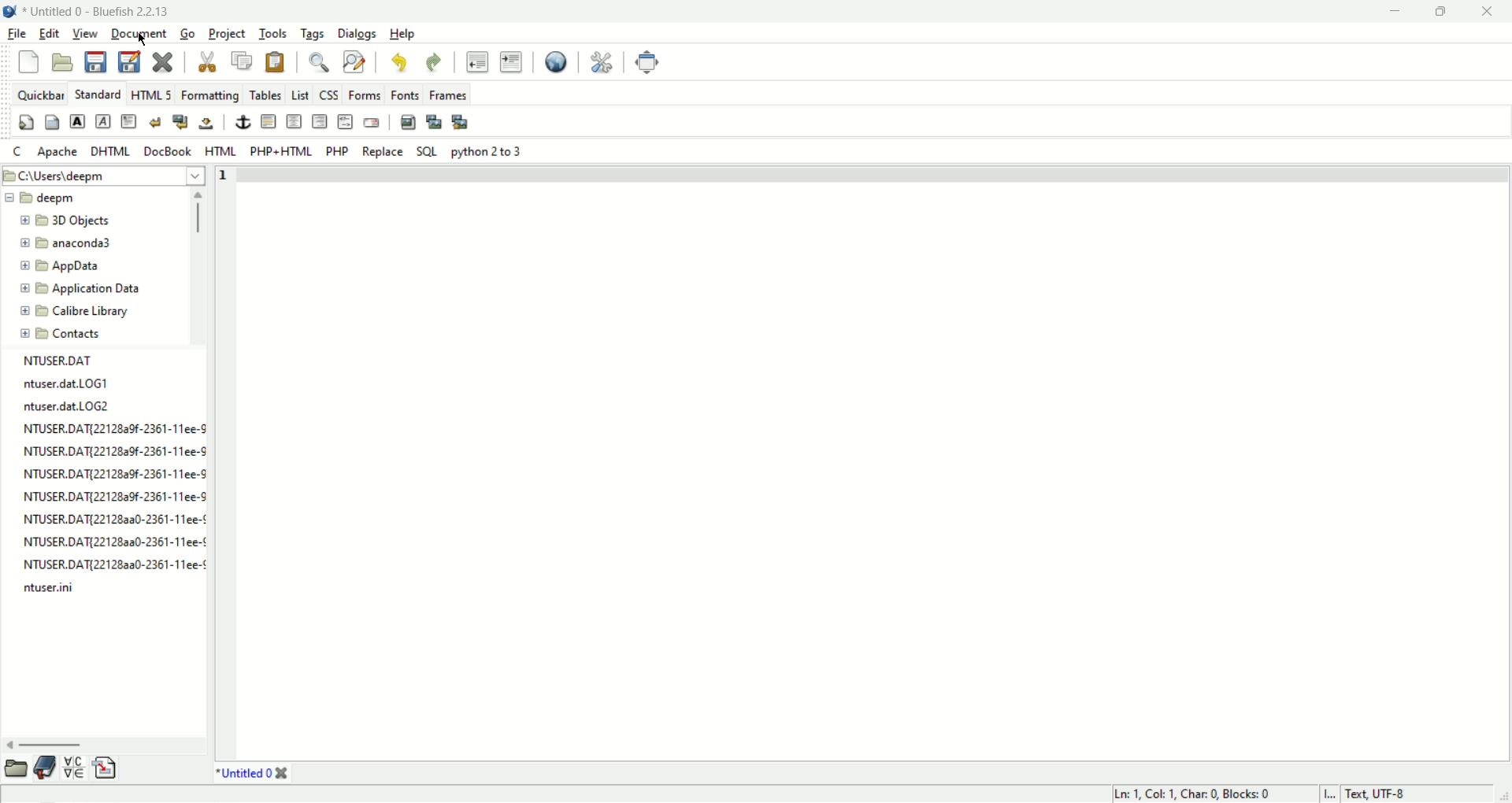 The height and width of the screenshot is (803, 1512). Describe the element at coordinates (49, 35) in the screenshot. I see `edit` at that location.